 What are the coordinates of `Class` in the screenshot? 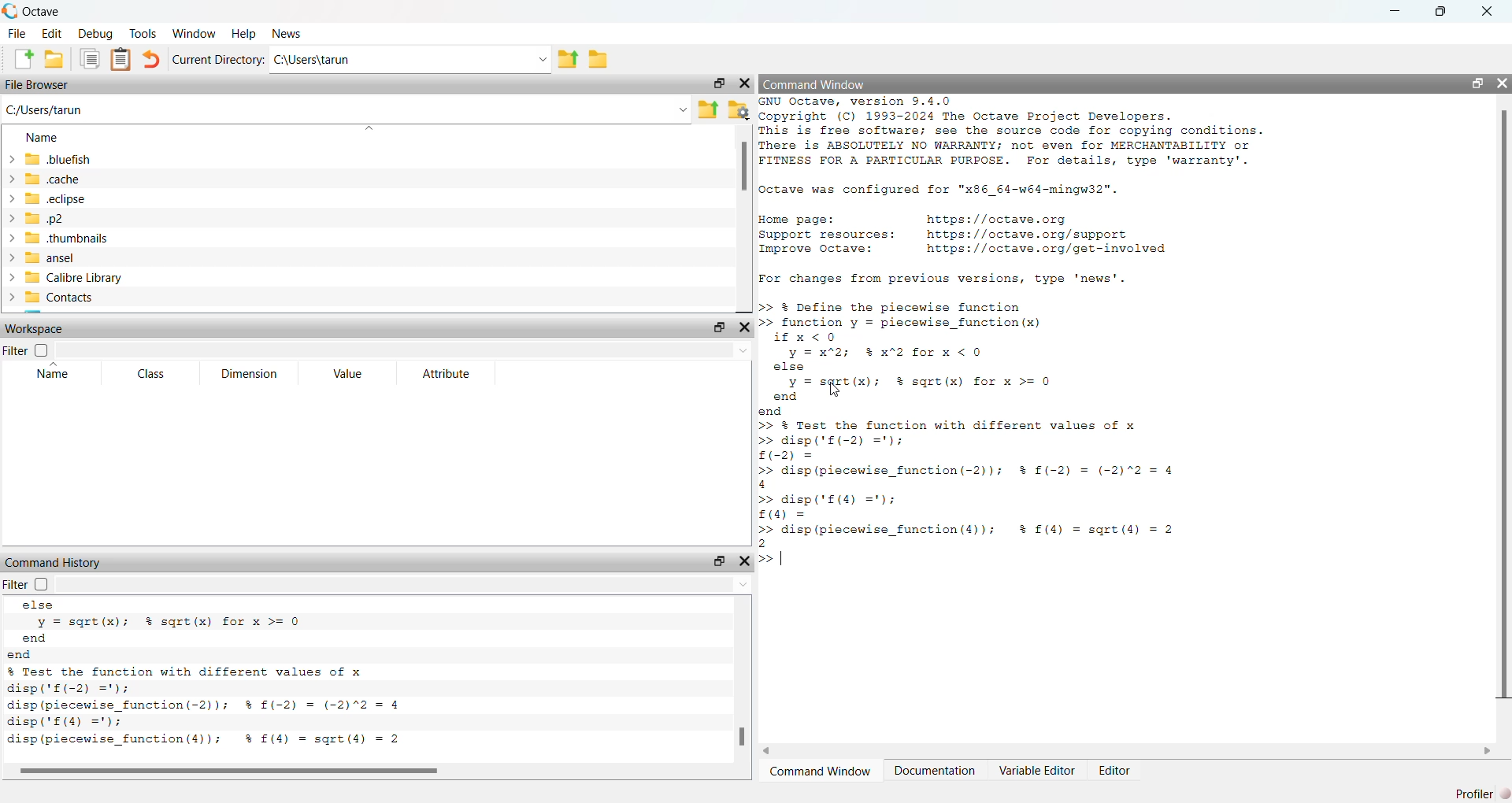 It's located at (151, 373).